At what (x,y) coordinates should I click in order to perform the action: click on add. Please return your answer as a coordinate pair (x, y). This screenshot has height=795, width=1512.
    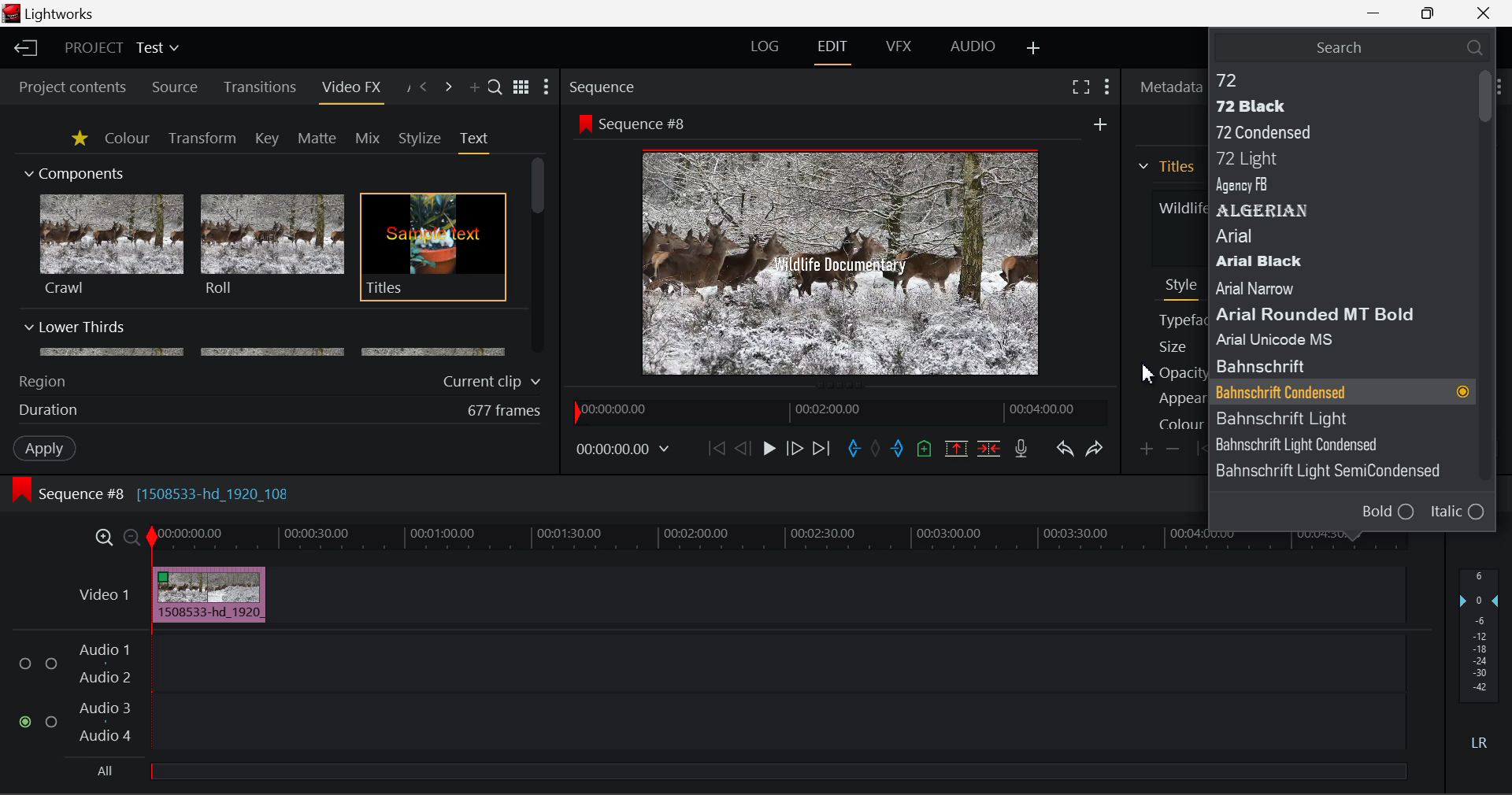
    Looking at the image, I should click on (1100, 124).